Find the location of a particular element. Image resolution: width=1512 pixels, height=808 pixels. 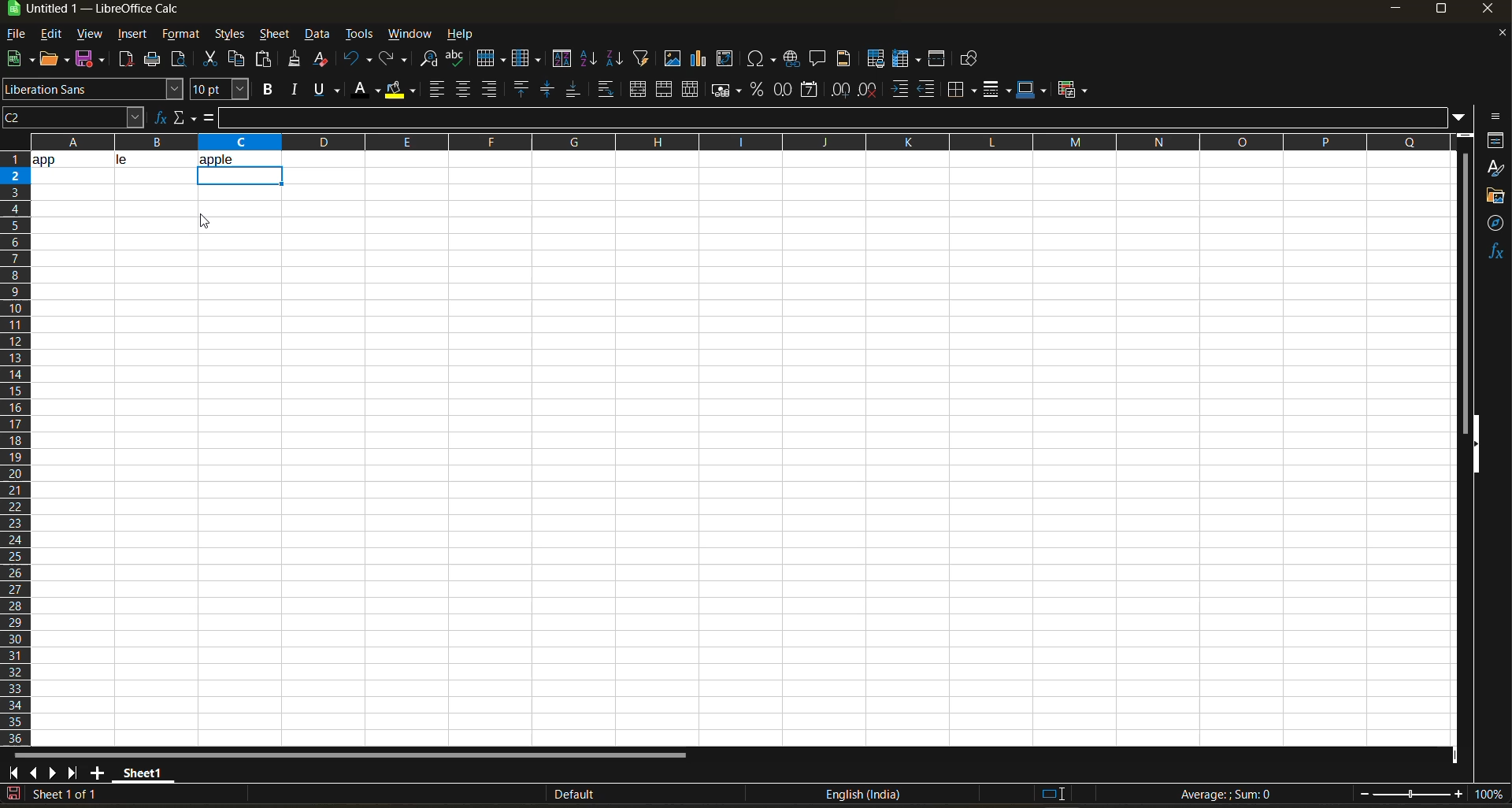

sheet name is located at coordinates (140, 770).